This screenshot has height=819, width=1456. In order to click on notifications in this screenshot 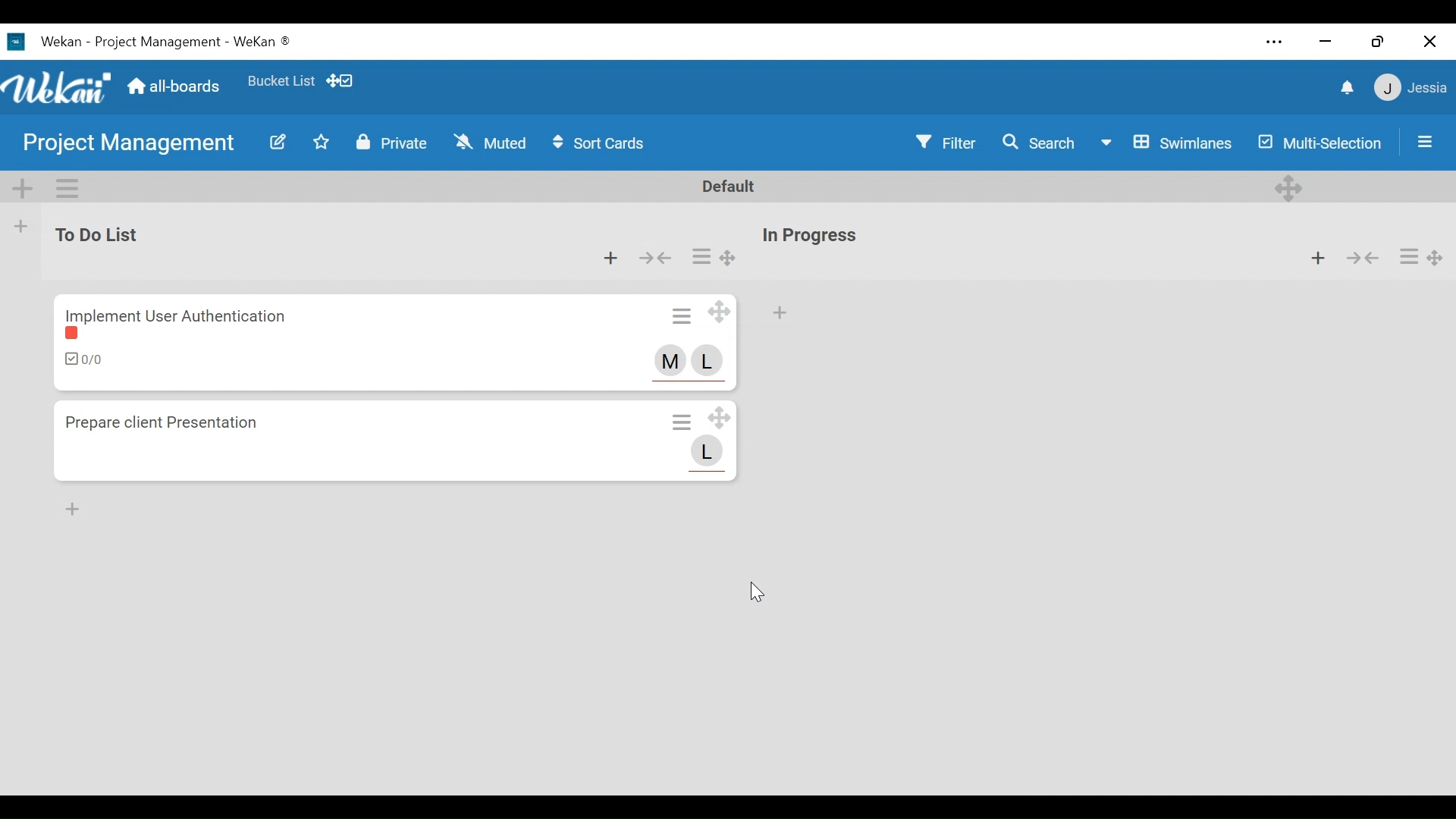, I will do `click(1346, 88)`.